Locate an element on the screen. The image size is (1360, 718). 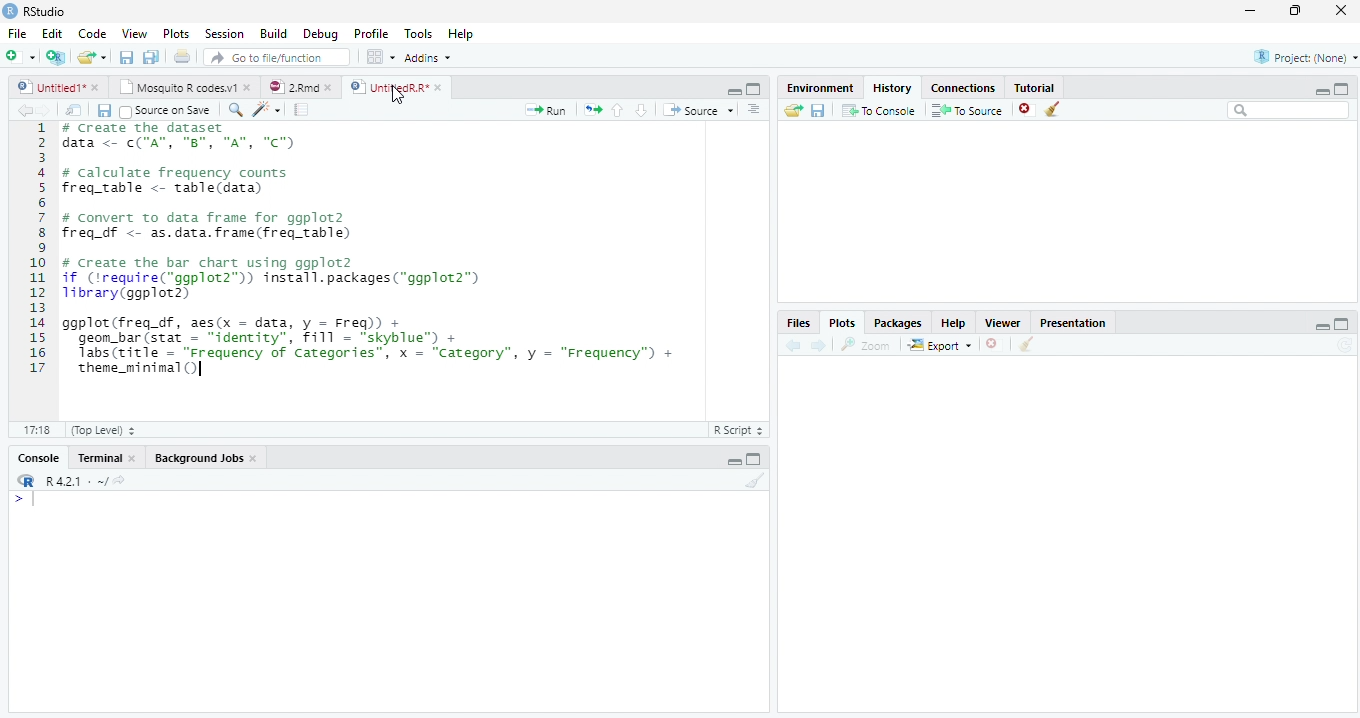
Save all is located at coordinates (153, 58).